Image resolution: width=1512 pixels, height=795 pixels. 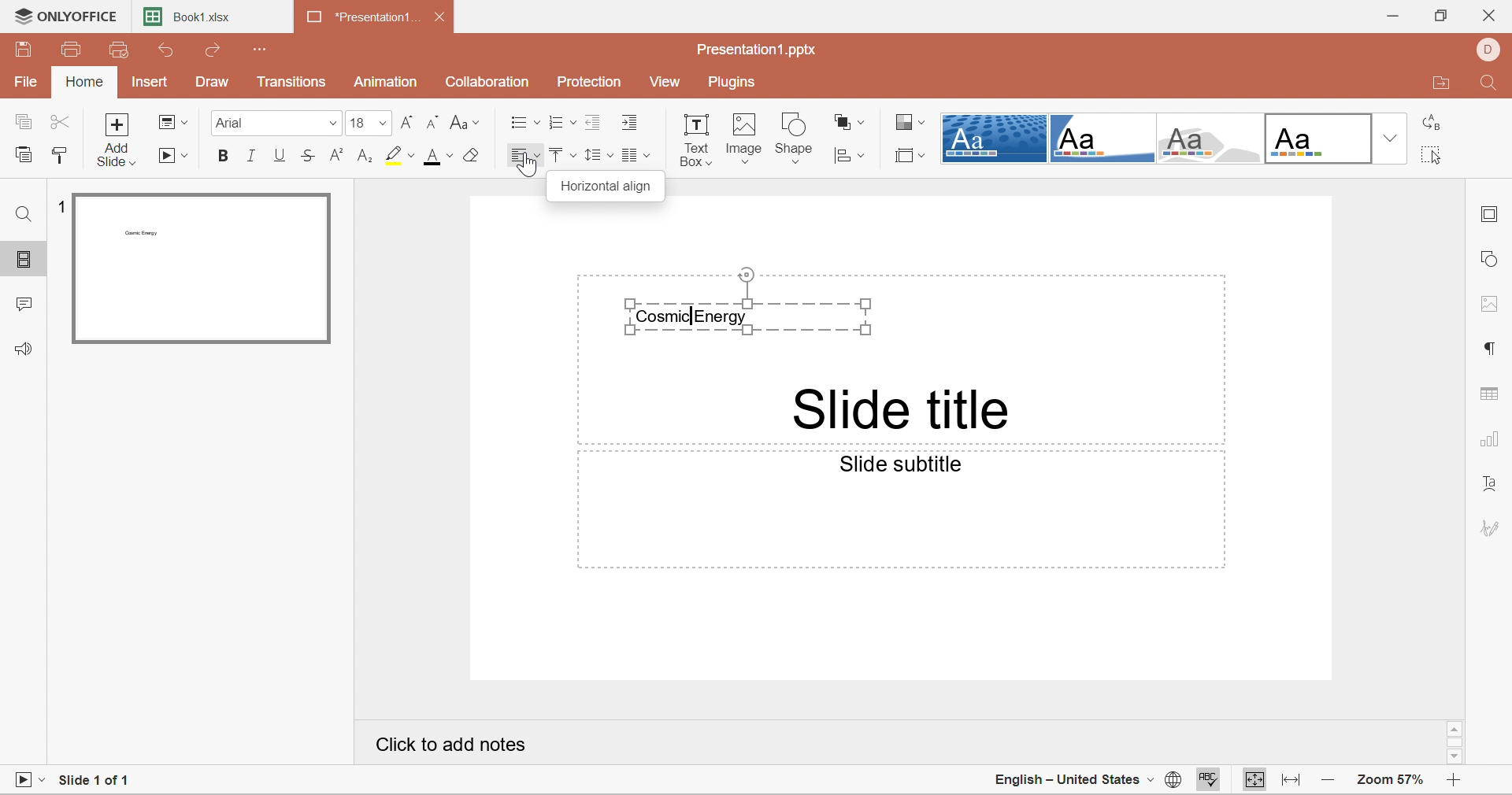 I want to click on Align Left, so click(x=524, y=155).